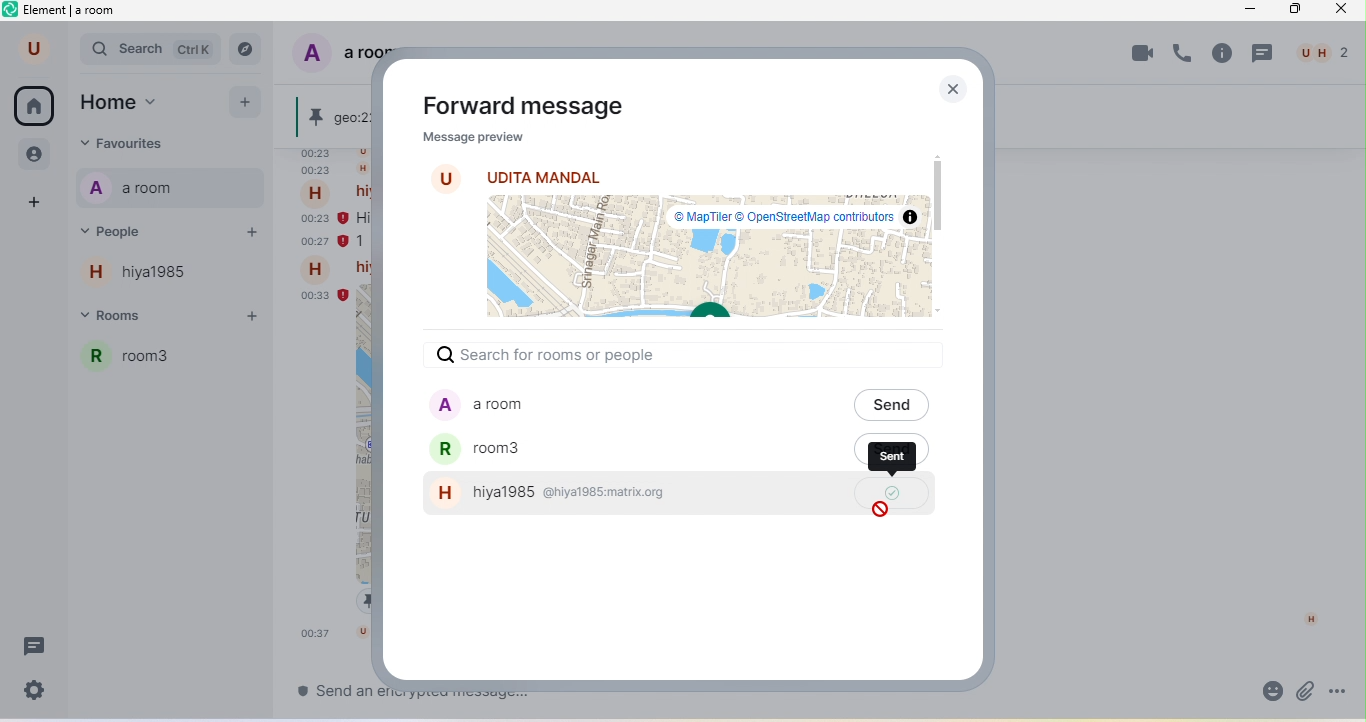  What do you see at coordinates (138, 230) in the screenshot?
I see `people` at bounding box center [138, 230].